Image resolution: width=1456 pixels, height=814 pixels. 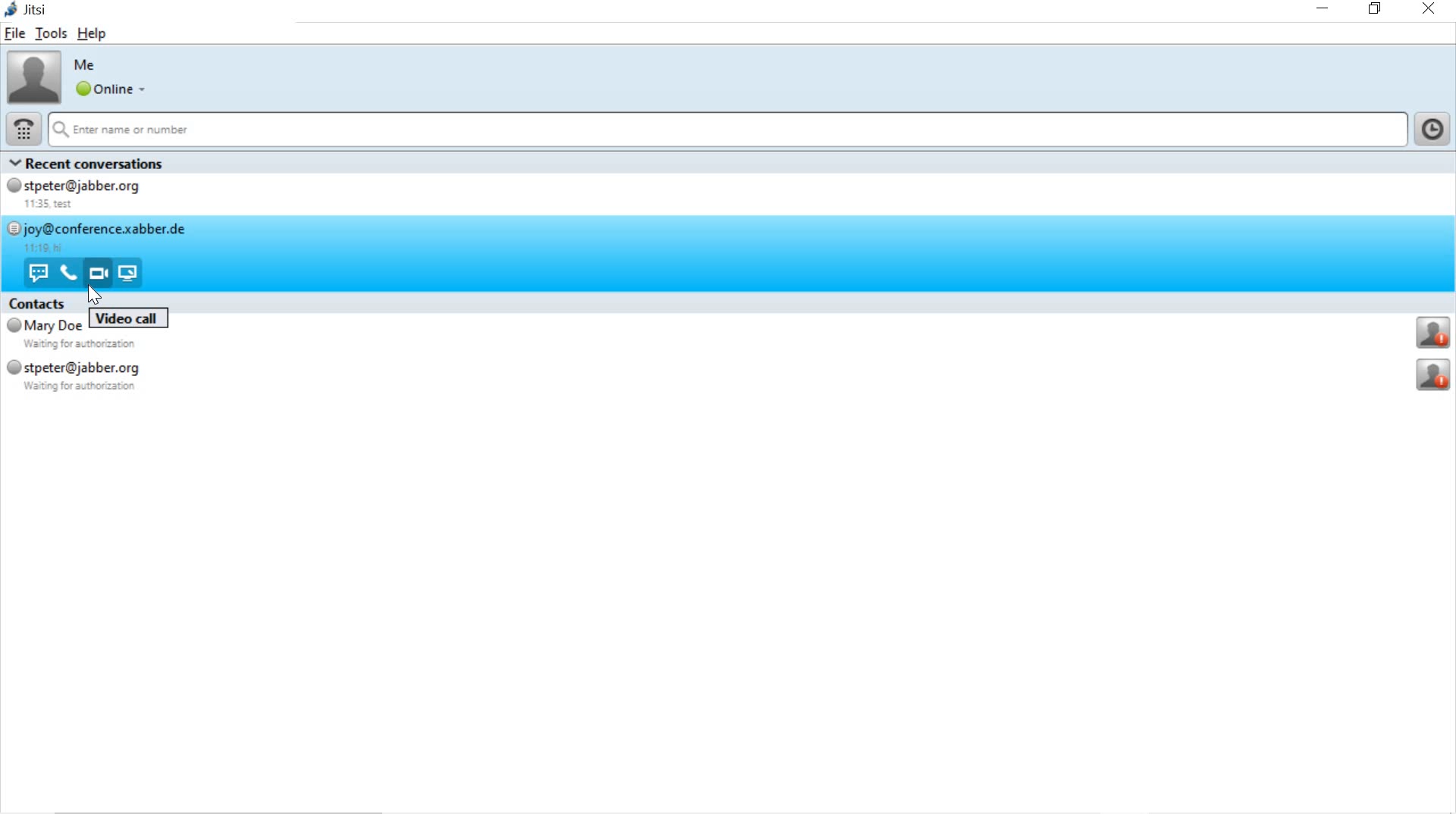 I want to click on video call, so click(x=97, y=273).